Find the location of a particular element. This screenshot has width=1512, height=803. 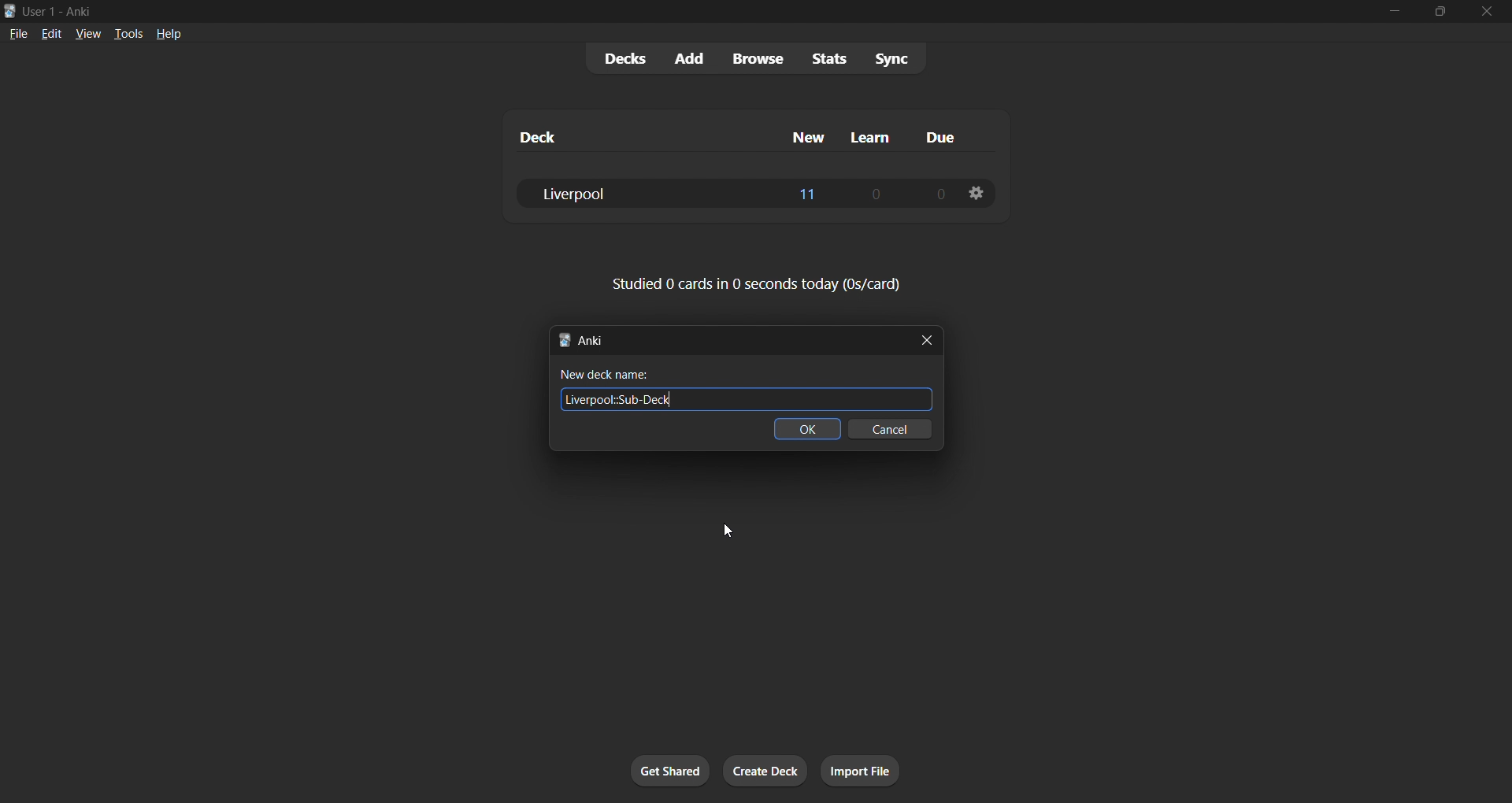

cursor is located at coordinates (731, 534).